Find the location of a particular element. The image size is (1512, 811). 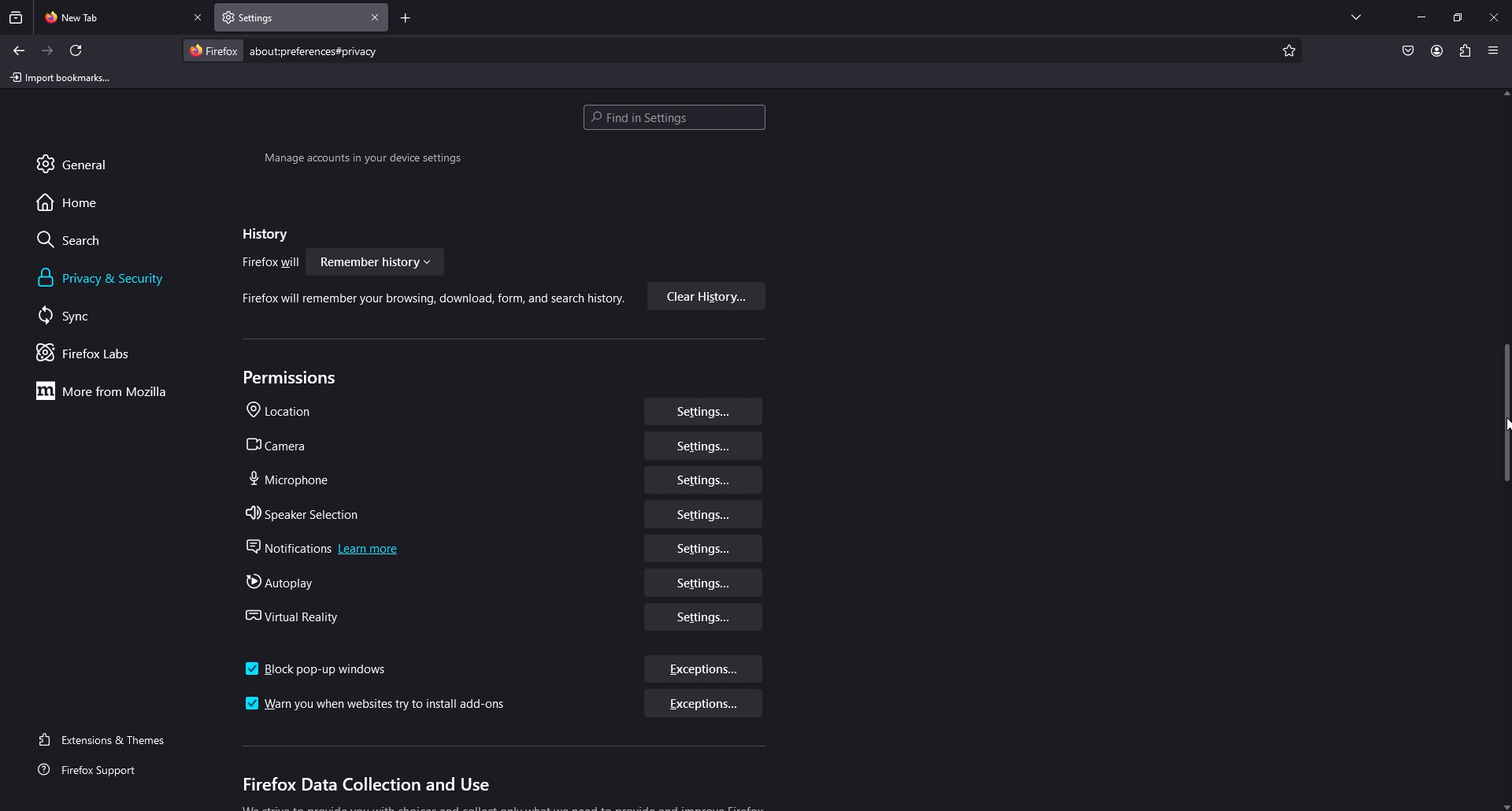

camera is located at coordinates (286, 446).